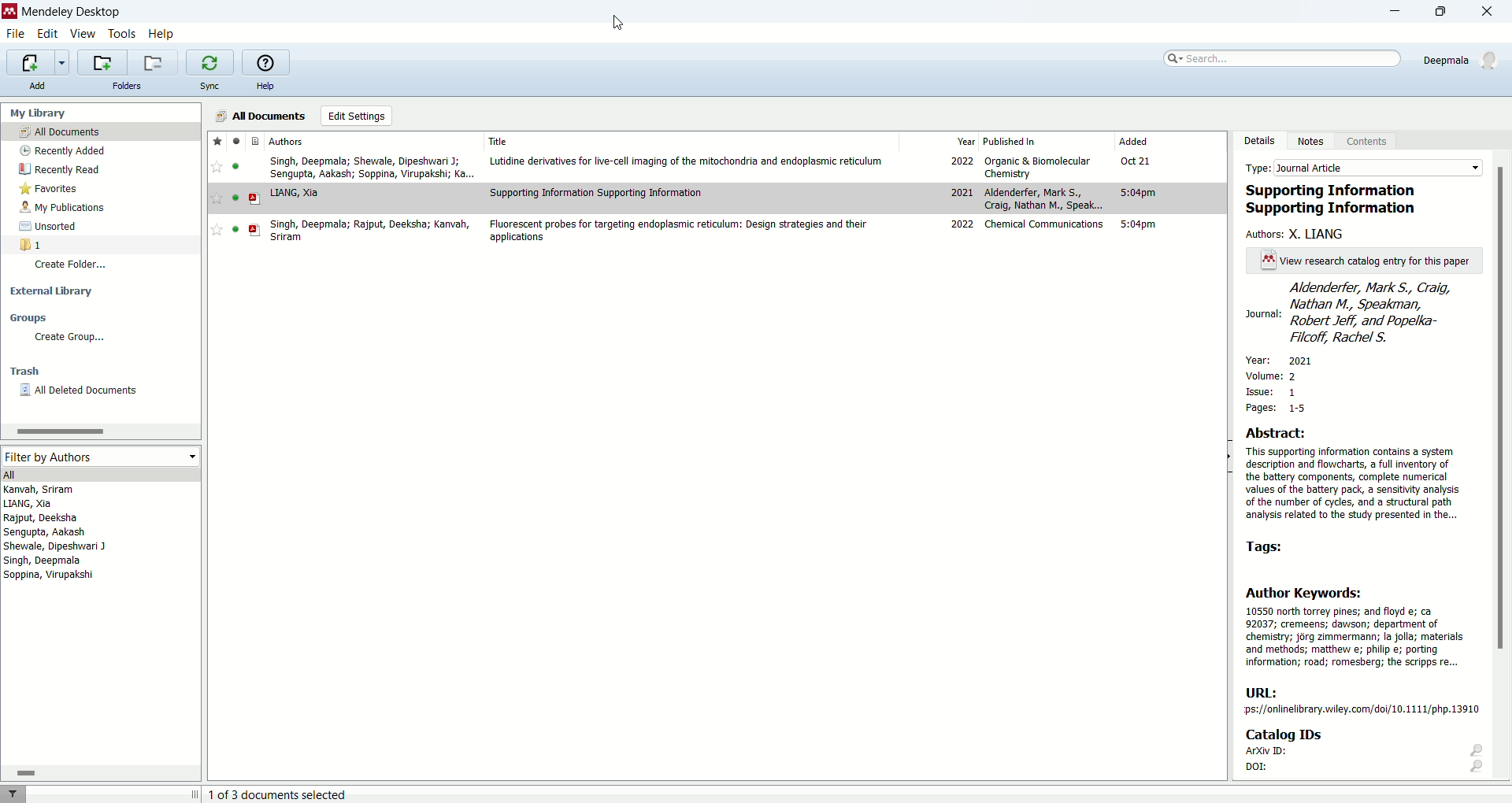 Image resolution: width=1512 pixels, height=803 pixels. Describe the element at coordinates (961, 160) in the screenshot. I see `2022` at that location.